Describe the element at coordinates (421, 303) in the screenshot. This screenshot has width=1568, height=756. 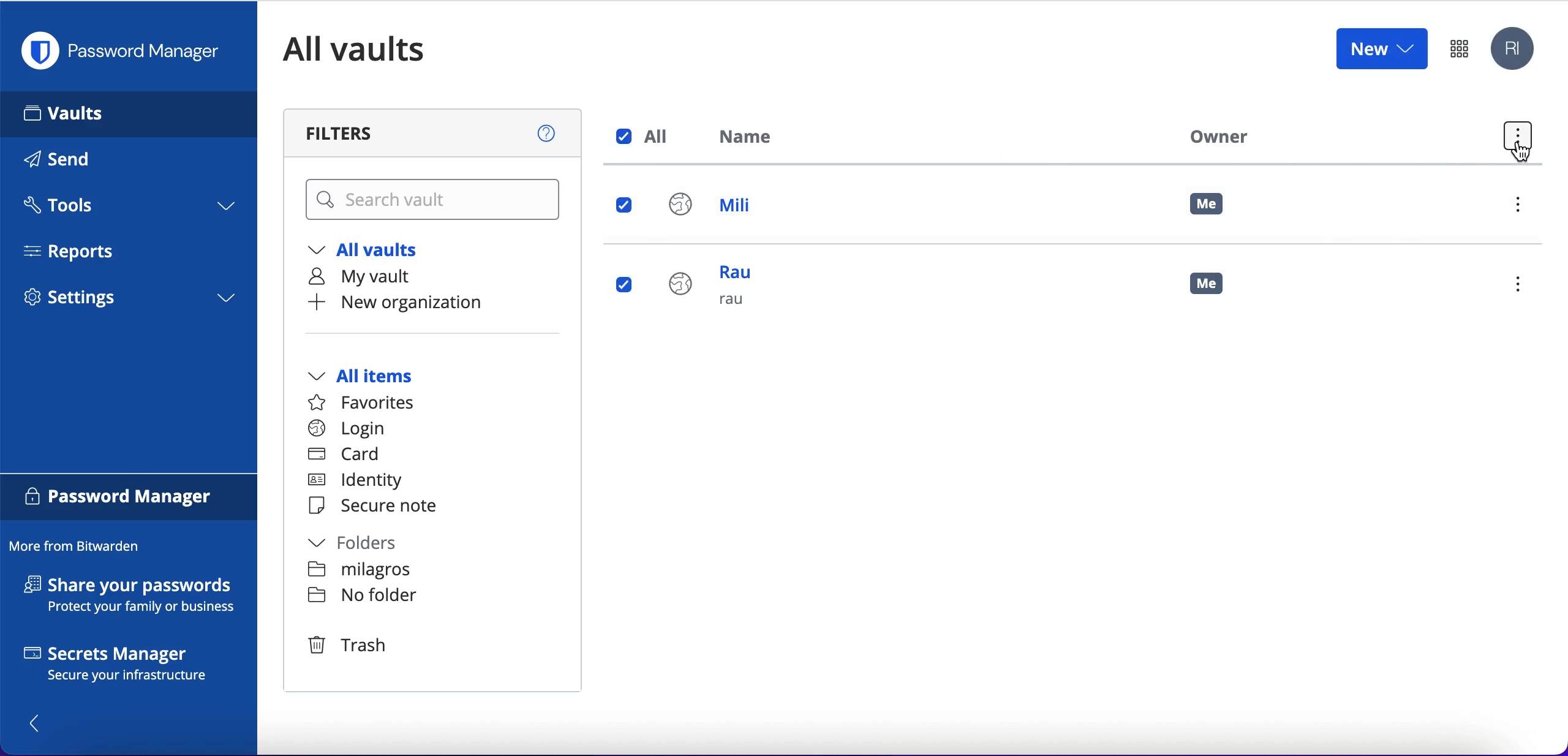
I see `new organization` at that location.